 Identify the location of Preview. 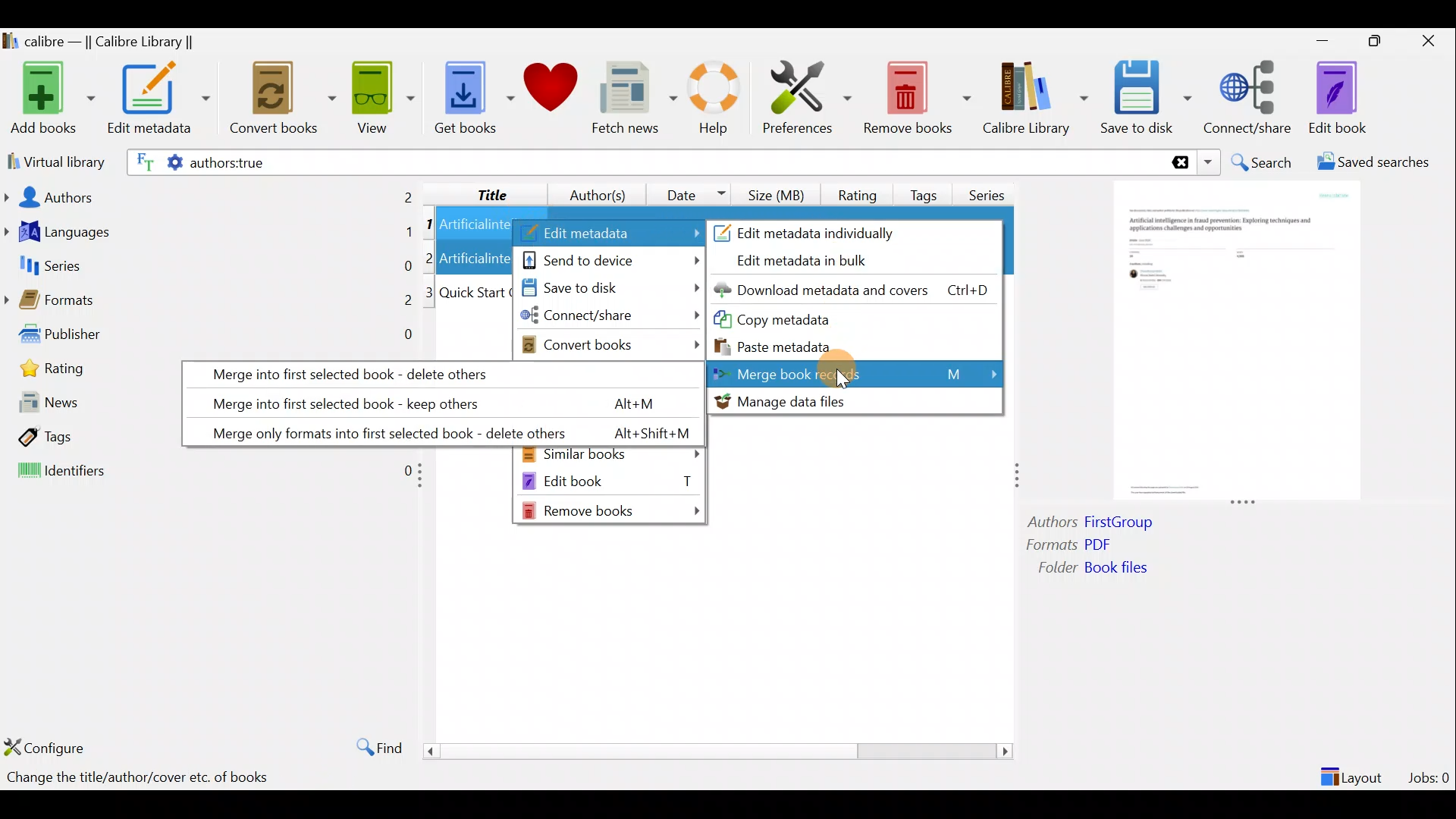
(1232, 343).